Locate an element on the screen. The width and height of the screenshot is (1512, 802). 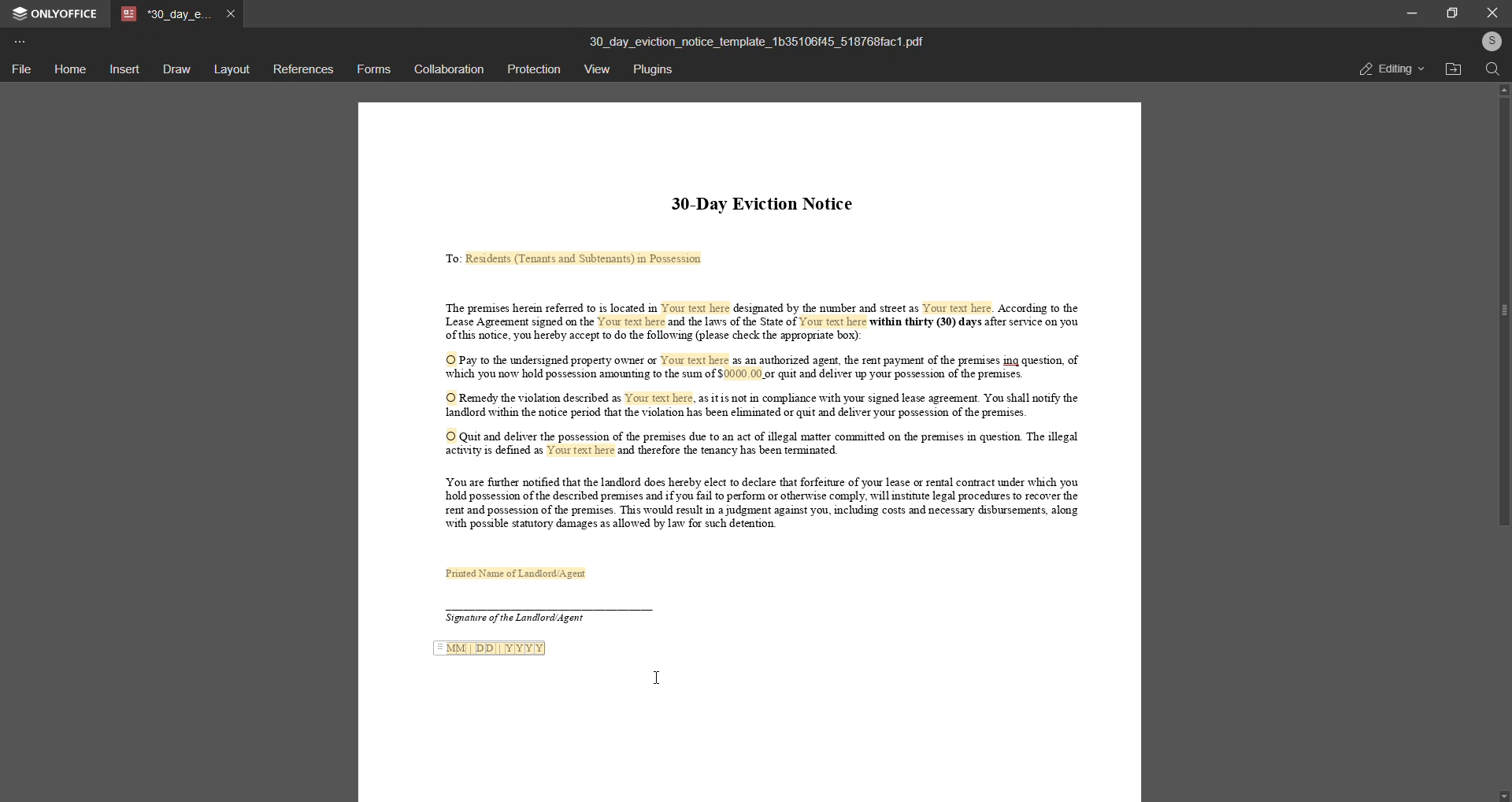
maximize is located at coordinates (1452, 13).